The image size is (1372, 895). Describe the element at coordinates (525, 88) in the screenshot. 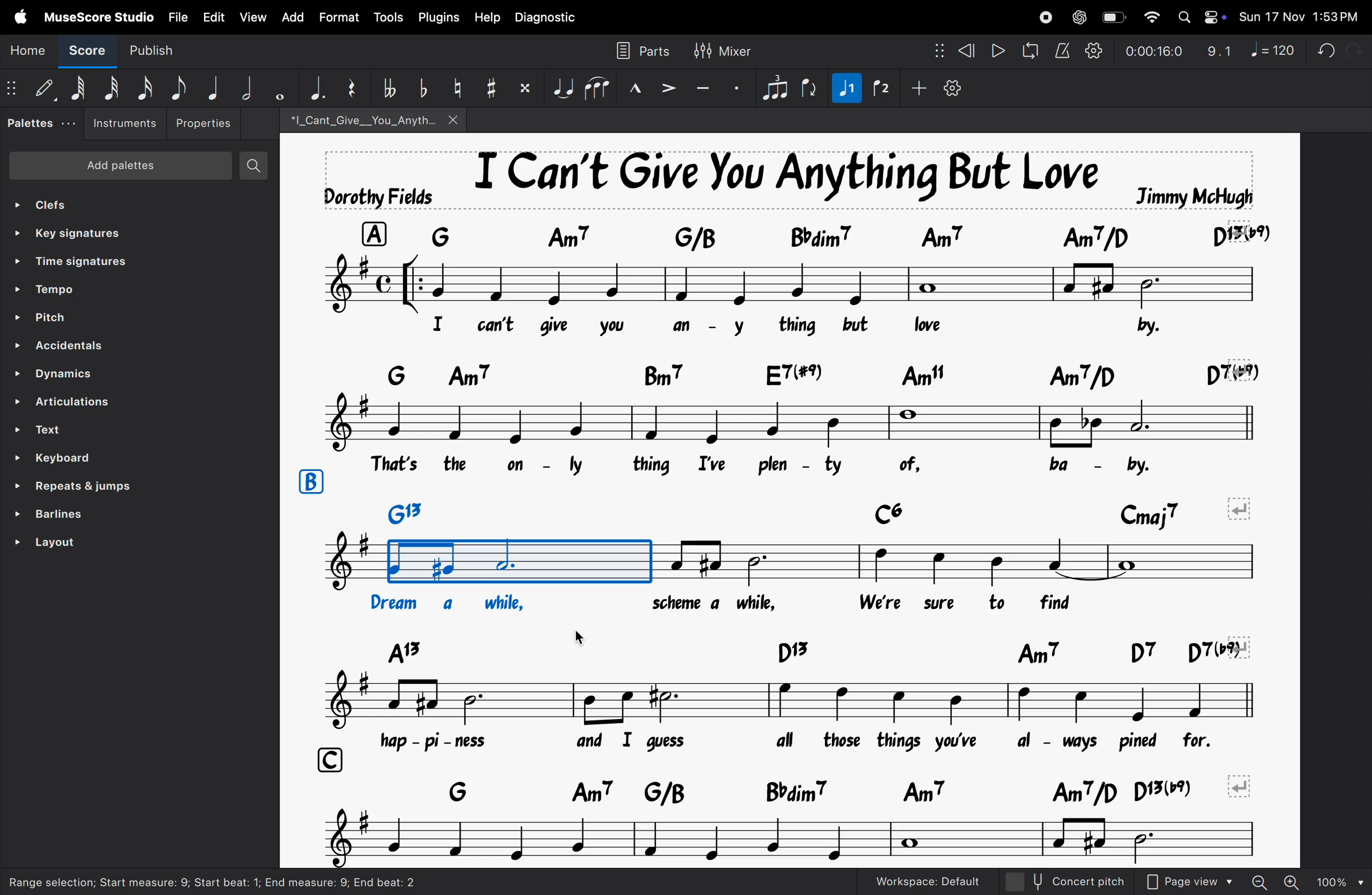

I see `toggle double sharp` at that location.